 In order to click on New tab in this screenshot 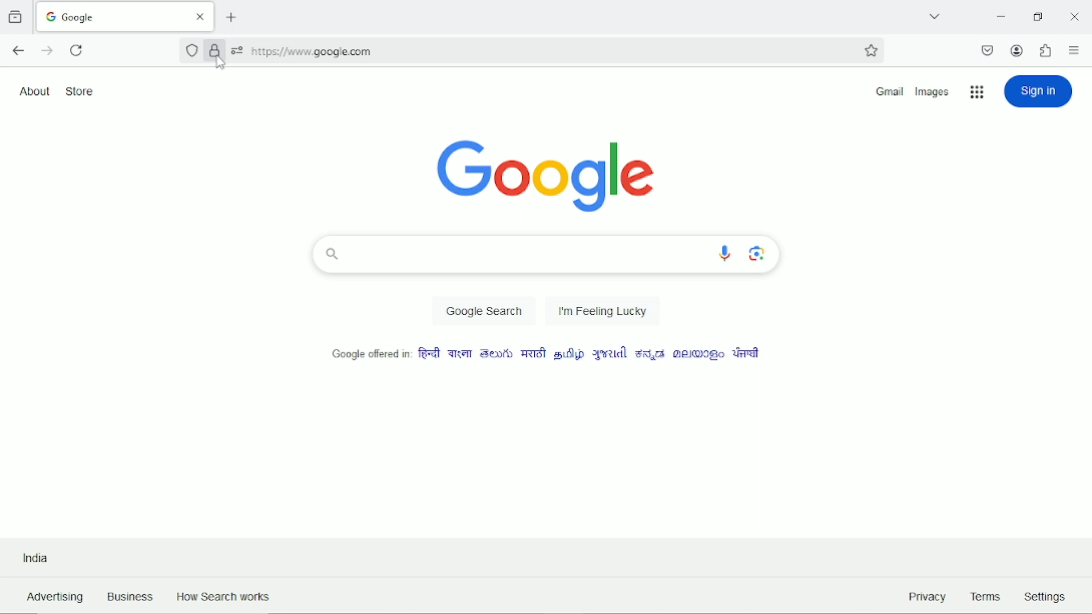, I will do `click(231, 19)`.